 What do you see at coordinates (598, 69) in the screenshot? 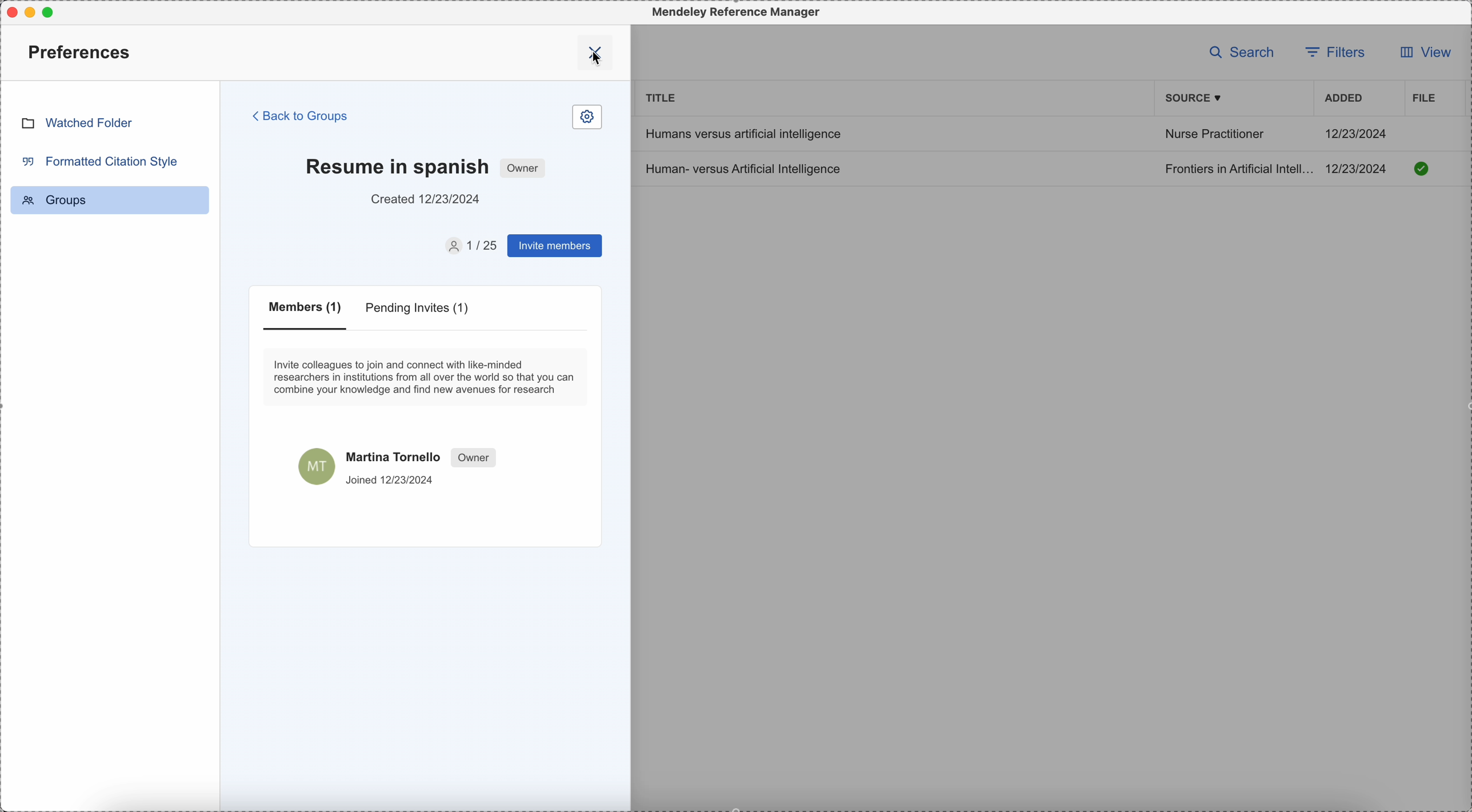
I see `Cursor` at bounding box center [598, 69].